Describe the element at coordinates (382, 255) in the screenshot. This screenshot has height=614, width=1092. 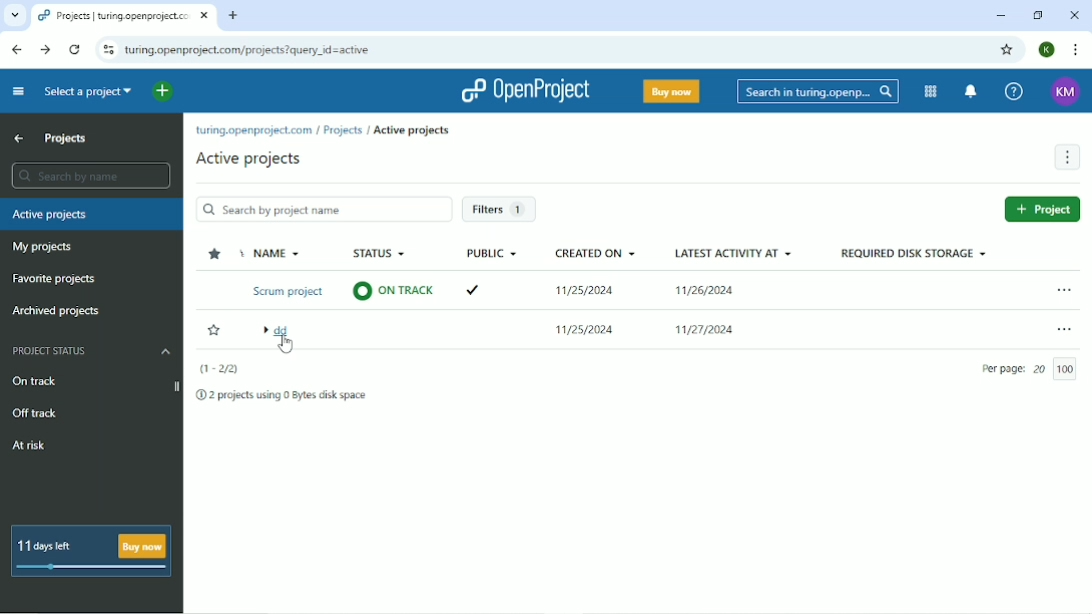
I see `Status` at that location.